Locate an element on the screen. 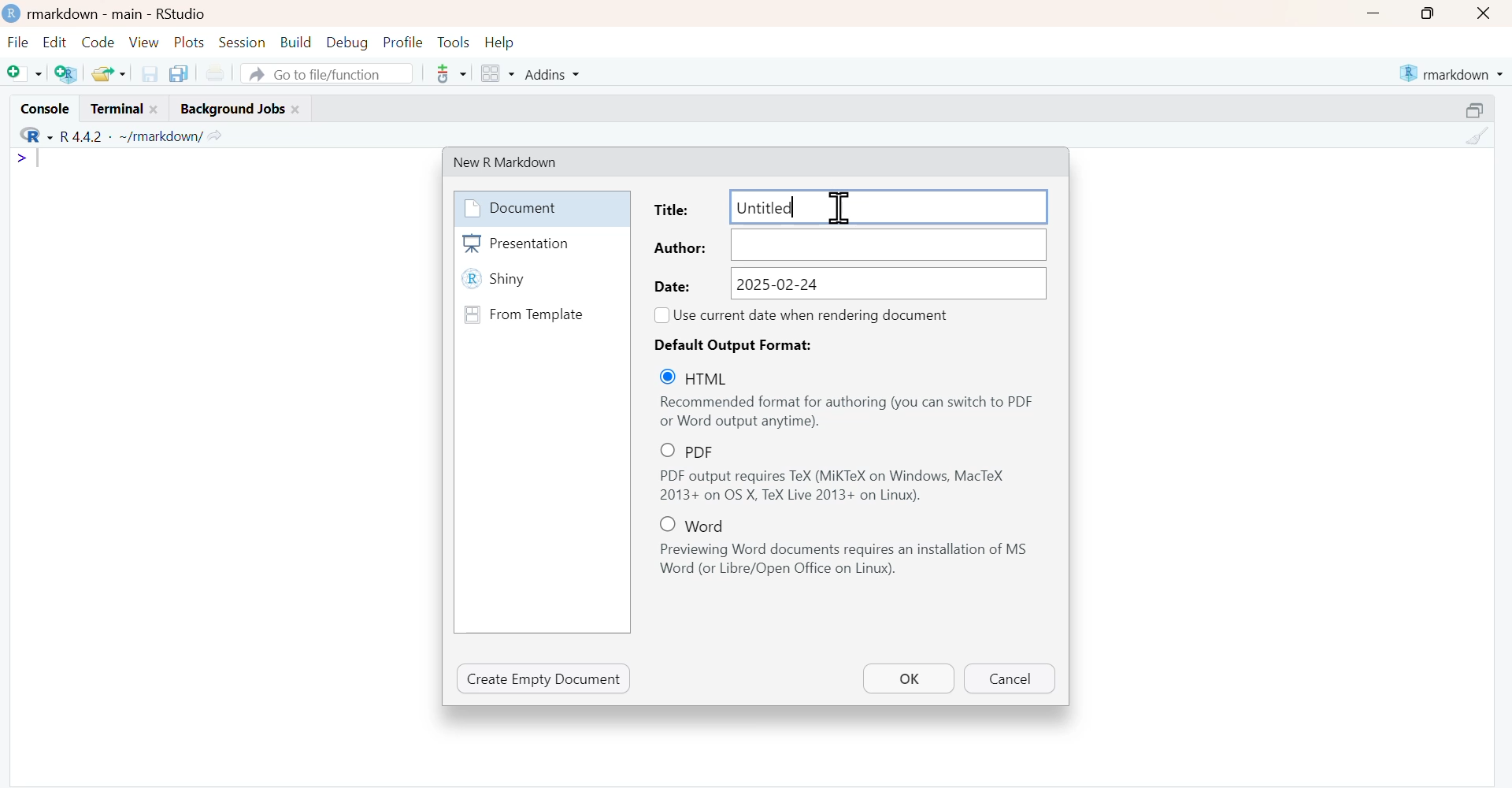 The height and width of the screenshot is (788, 1512). Save all open documents is located at coordinates (181, 74).